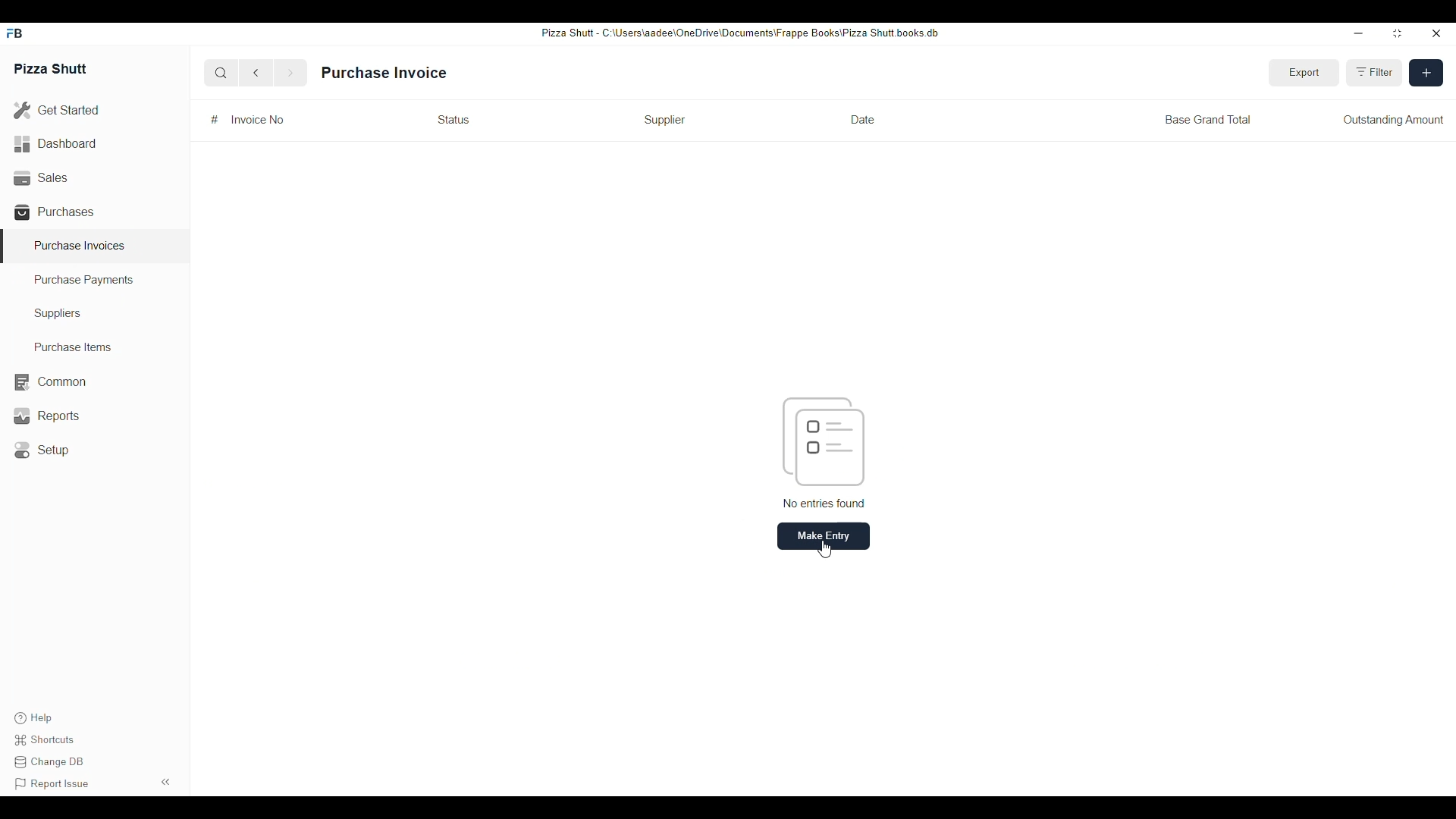  Describe the element at coordinates (259, 73) in the screenshot. I see `back` at that location.